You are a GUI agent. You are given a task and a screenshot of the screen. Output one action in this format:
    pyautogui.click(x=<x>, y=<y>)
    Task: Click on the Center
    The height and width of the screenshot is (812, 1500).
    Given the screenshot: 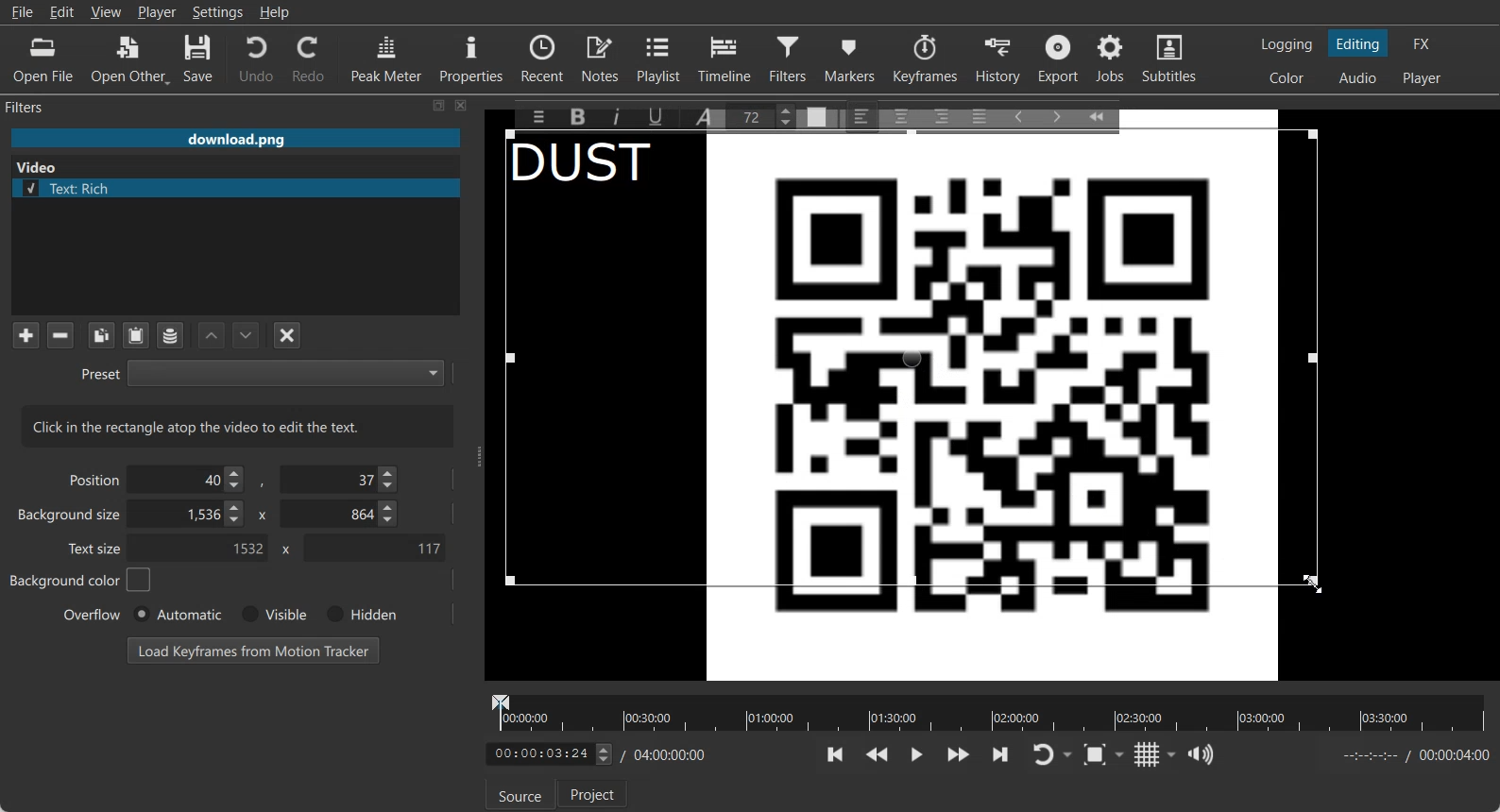 What is the action you would take?
    pyautogui.click(x=903, y=115)
    